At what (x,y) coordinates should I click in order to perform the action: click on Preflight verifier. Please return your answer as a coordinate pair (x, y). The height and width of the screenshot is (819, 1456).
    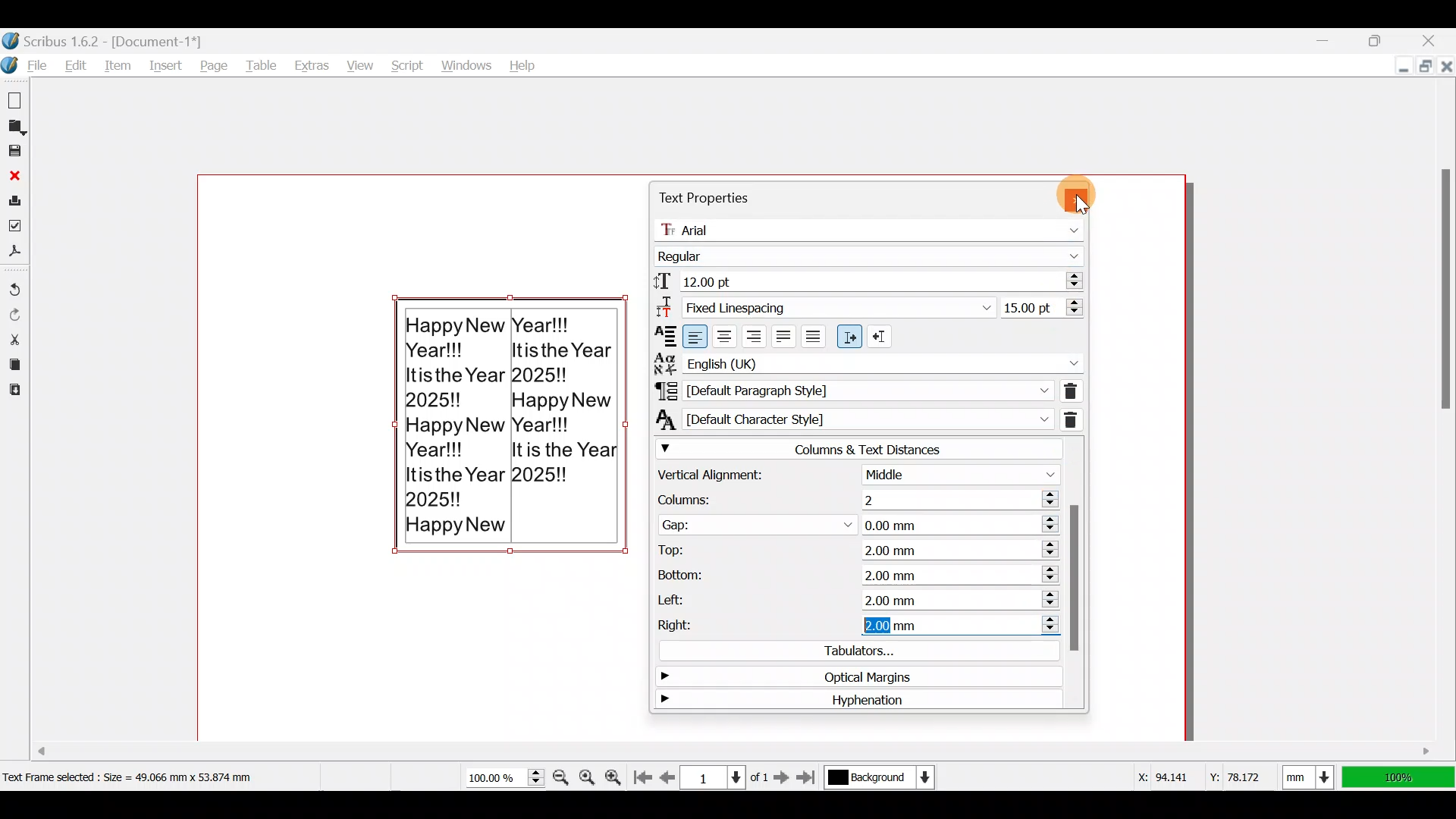
    Looking at the image, I should click on (14, 229).